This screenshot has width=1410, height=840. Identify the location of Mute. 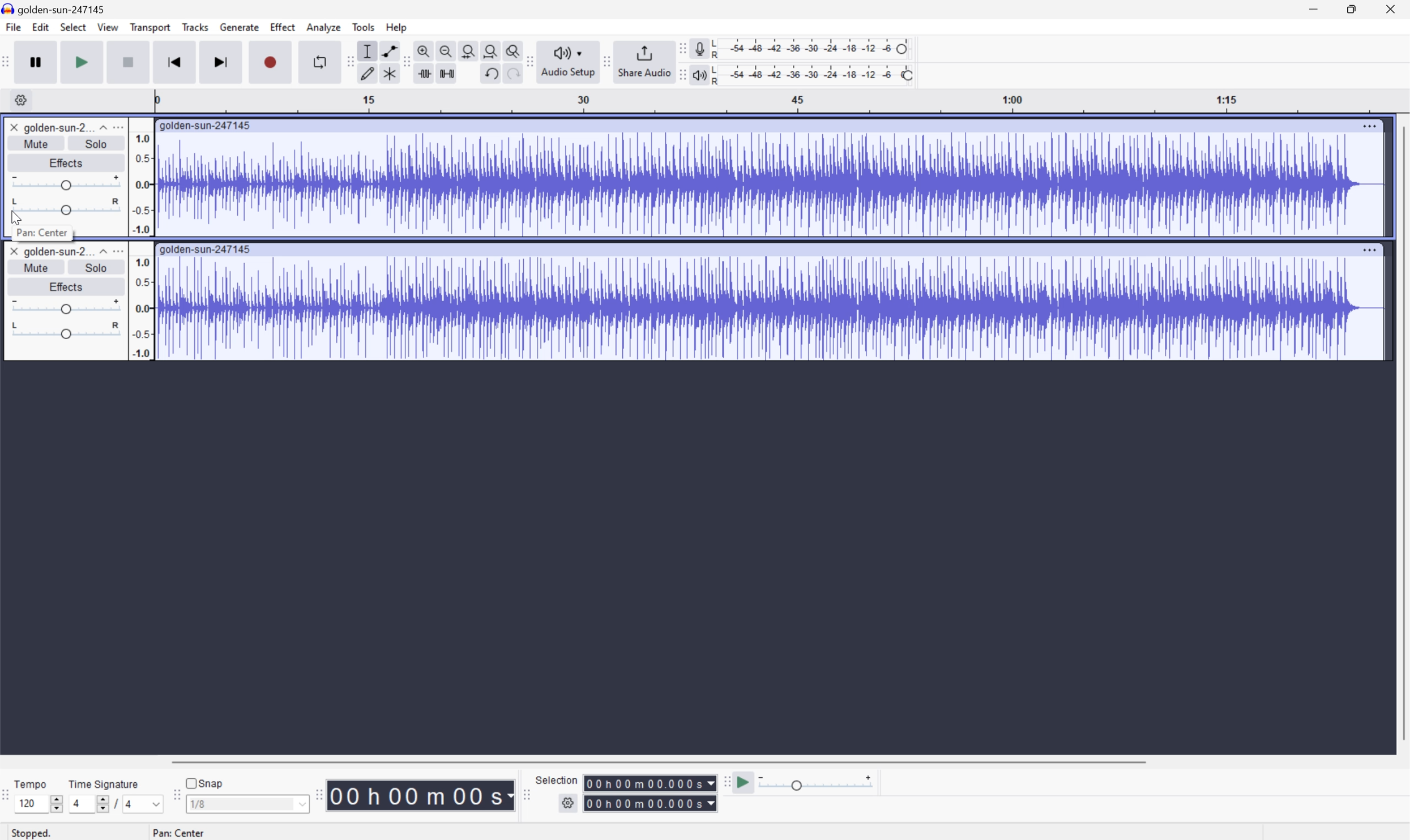
(35, 144).